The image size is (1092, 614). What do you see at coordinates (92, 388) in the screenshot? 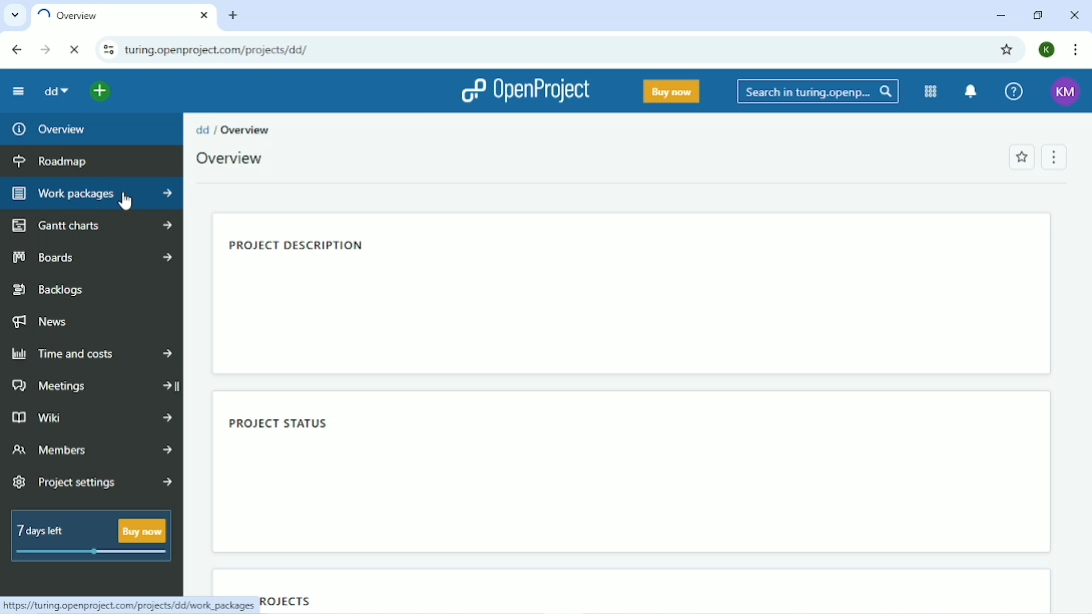
I see `Meetings` at bounding box center [92, 388].